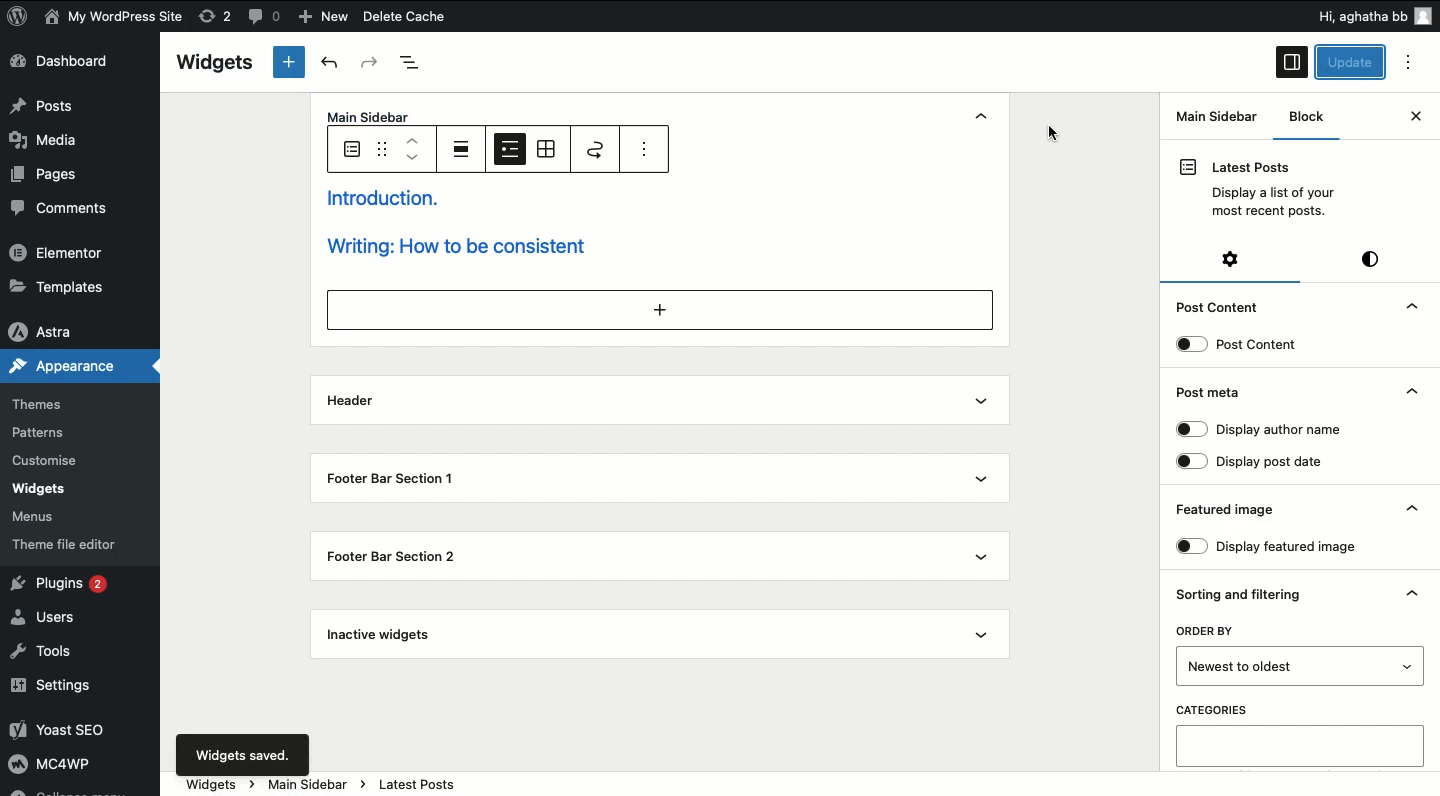  What do you see at coordinates (45, 430) in the screenshot?
I see `Patterns` at bounding box center [45, 430].